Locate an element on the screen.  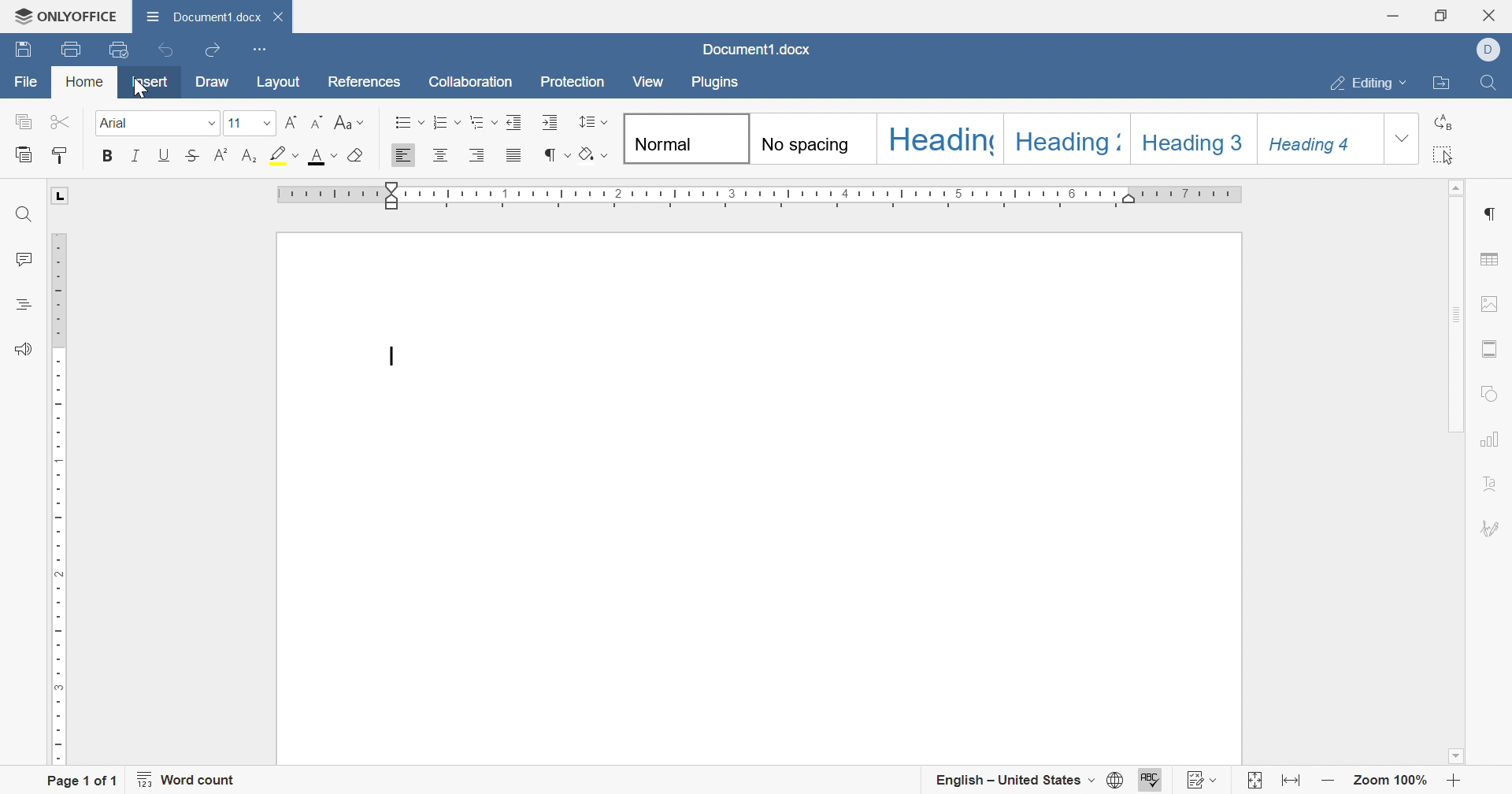
Normal is located at coordinates (665, 145).